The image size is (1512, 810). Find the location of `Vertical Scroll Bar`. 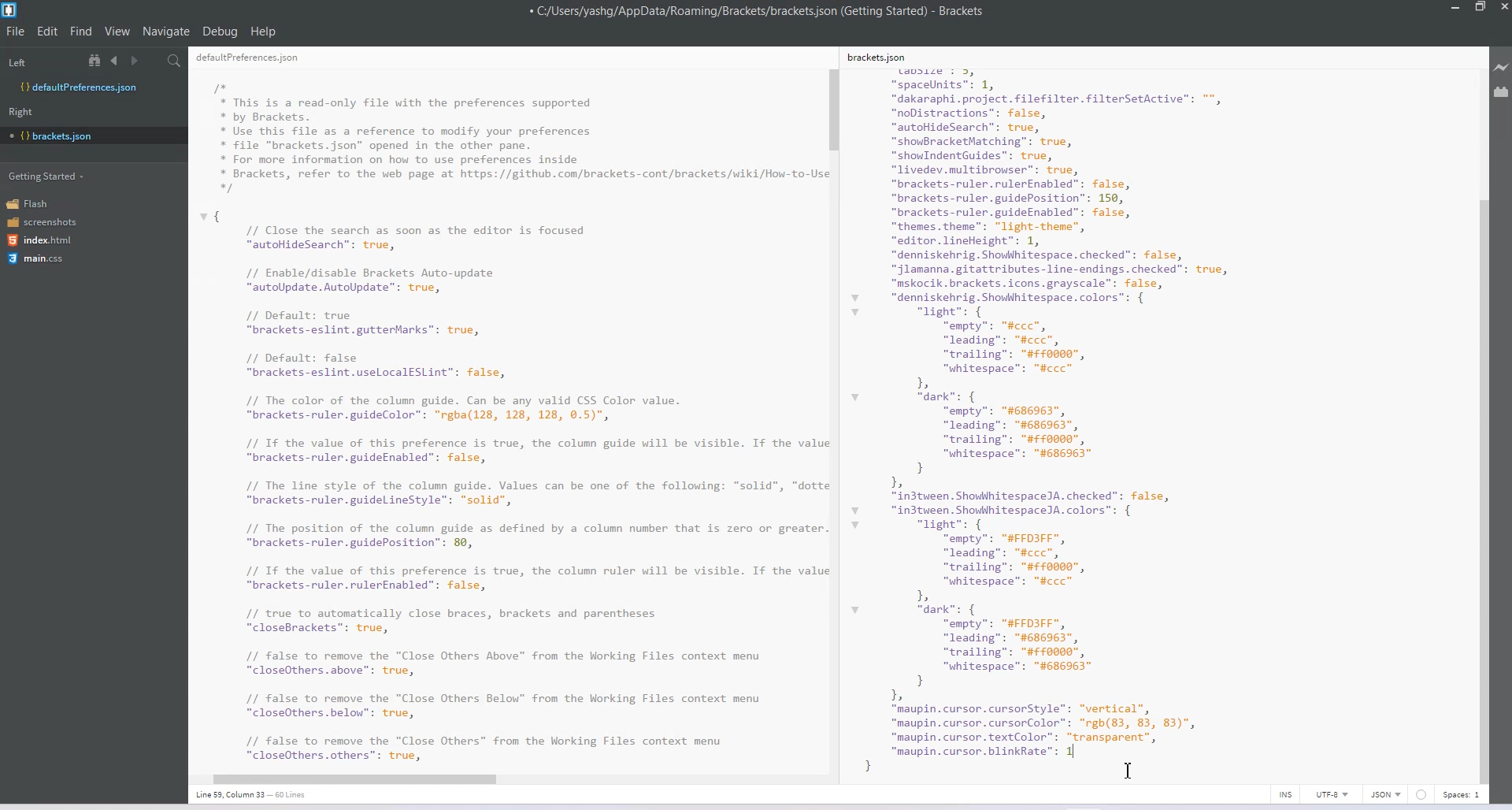

Vertical Scroll Bar is located at coordinates (834, 416).